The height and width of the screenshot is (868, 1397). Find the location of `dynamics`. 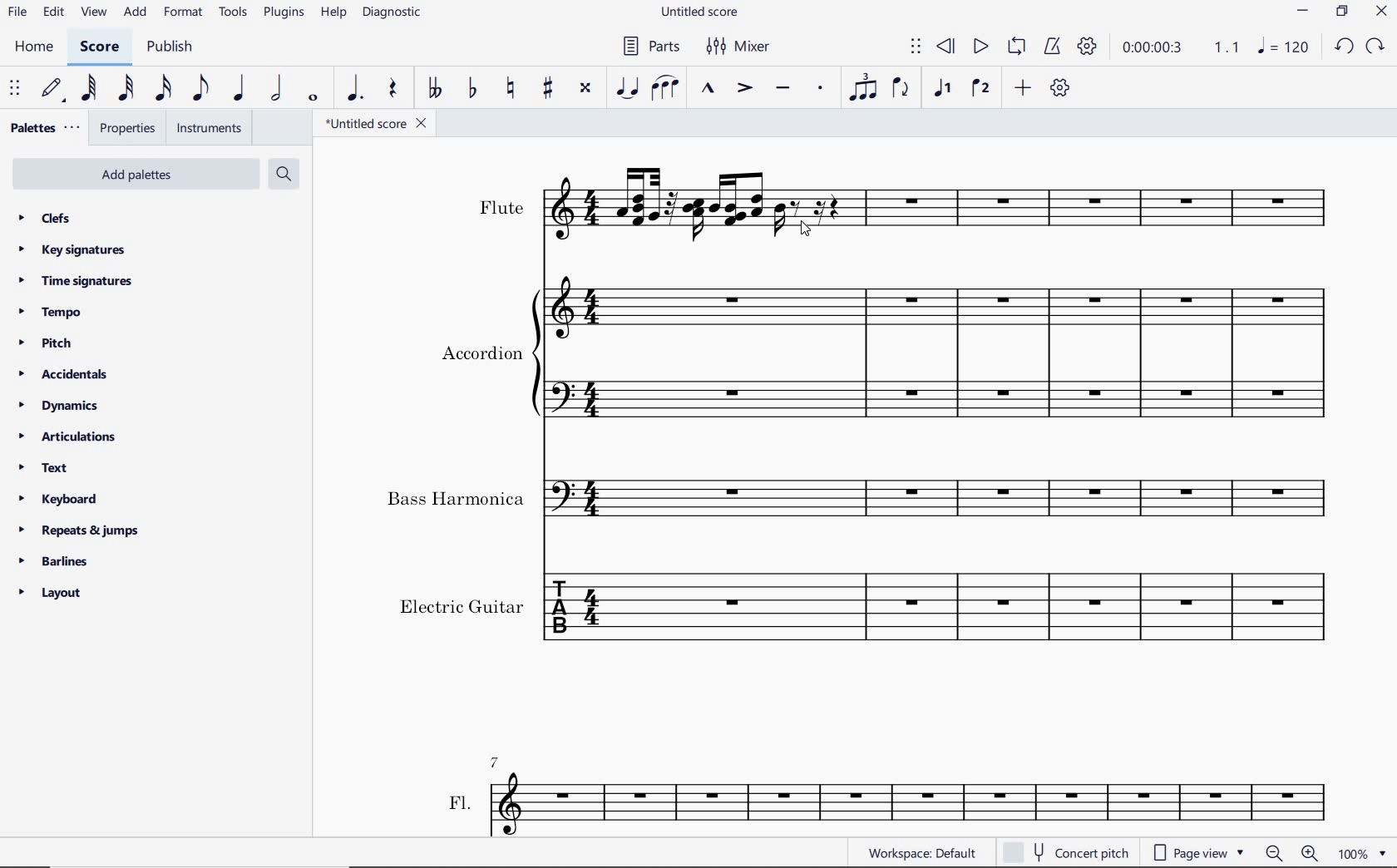

dynamics is located at coordinates (58, 406).